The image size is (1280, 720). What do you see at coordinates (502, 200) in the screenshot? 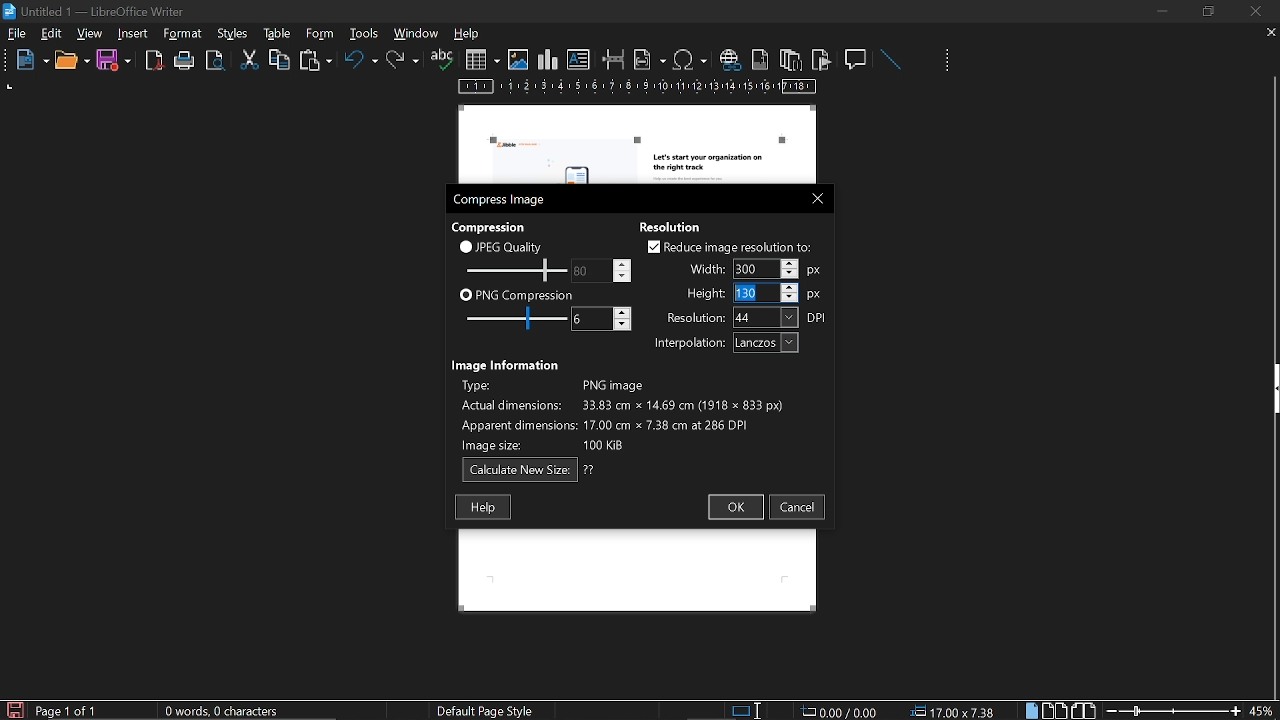
I see `compress image` at bounding box center [502, 200].